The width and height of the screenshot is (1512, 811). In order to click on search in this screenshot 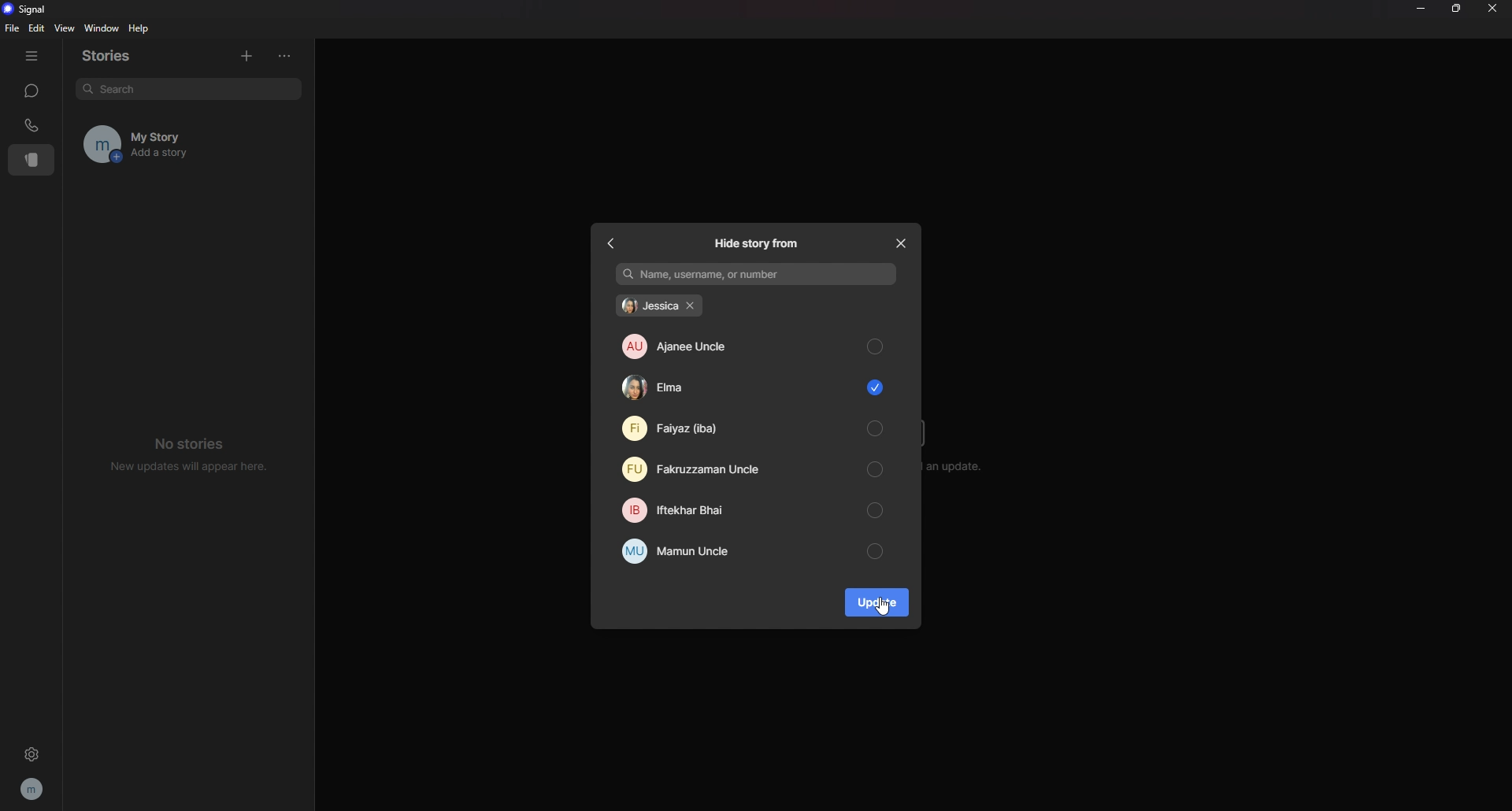, I will do `click(182, 87)`.